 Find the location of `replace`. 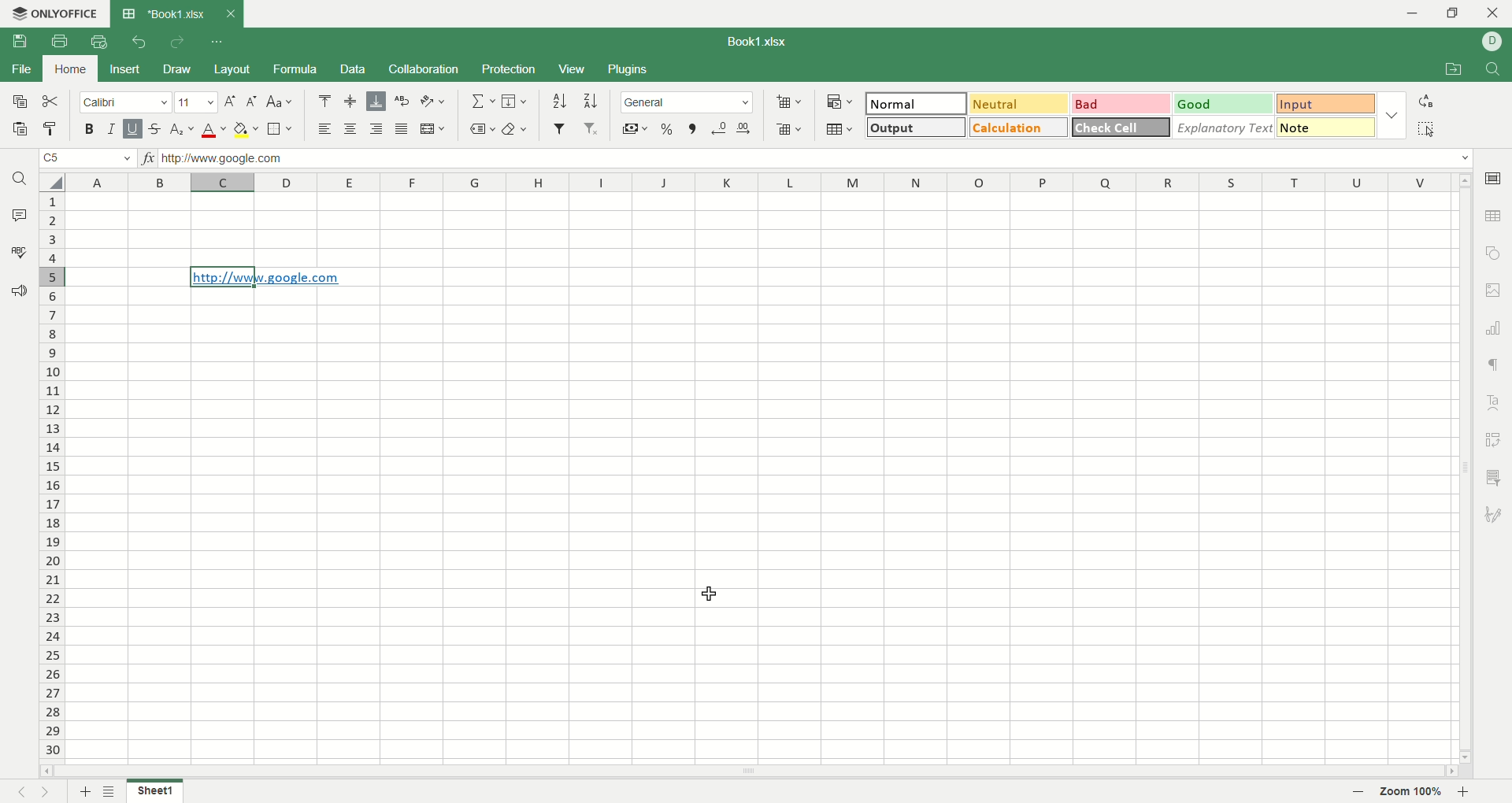

replace is located at coordinates (1426, 101).